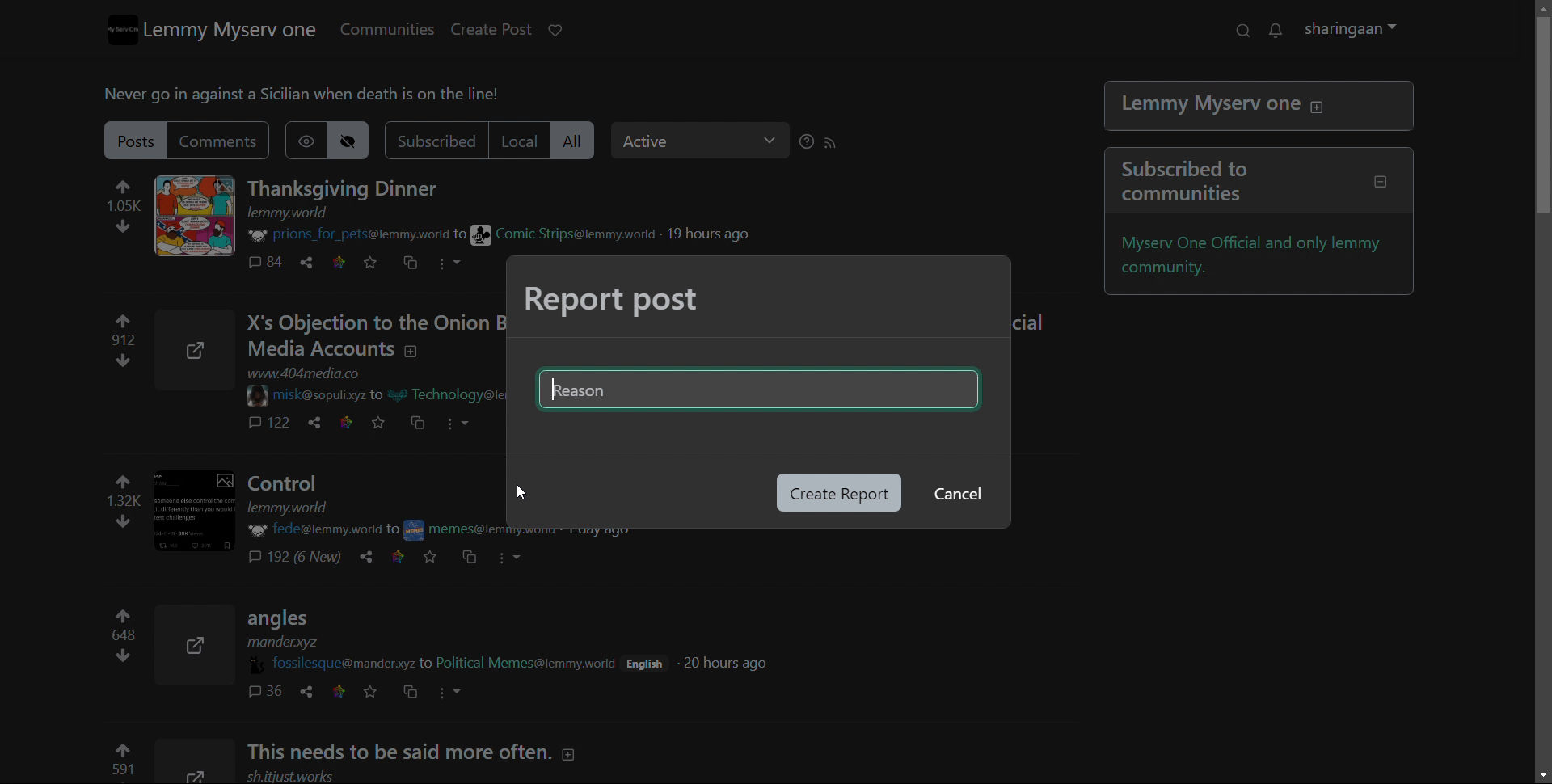 The width and height of the screenshot is (1552, 784). Describe the element at coordinates (424, 424) in the screenshot. I see `Cross post` at that location.